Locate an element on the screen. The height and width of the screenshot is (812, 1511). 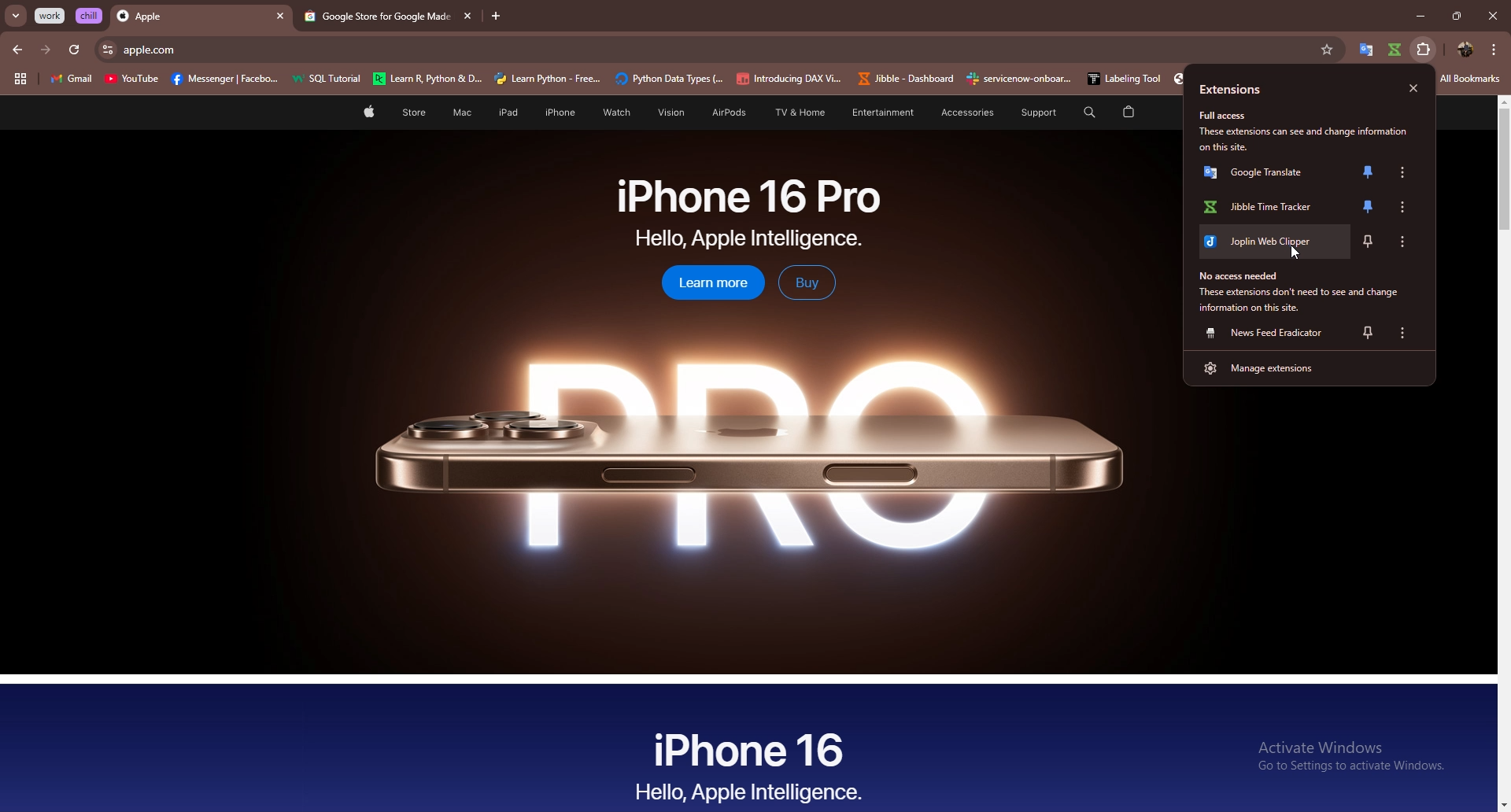
Pro is located at coordinates (748, 443).